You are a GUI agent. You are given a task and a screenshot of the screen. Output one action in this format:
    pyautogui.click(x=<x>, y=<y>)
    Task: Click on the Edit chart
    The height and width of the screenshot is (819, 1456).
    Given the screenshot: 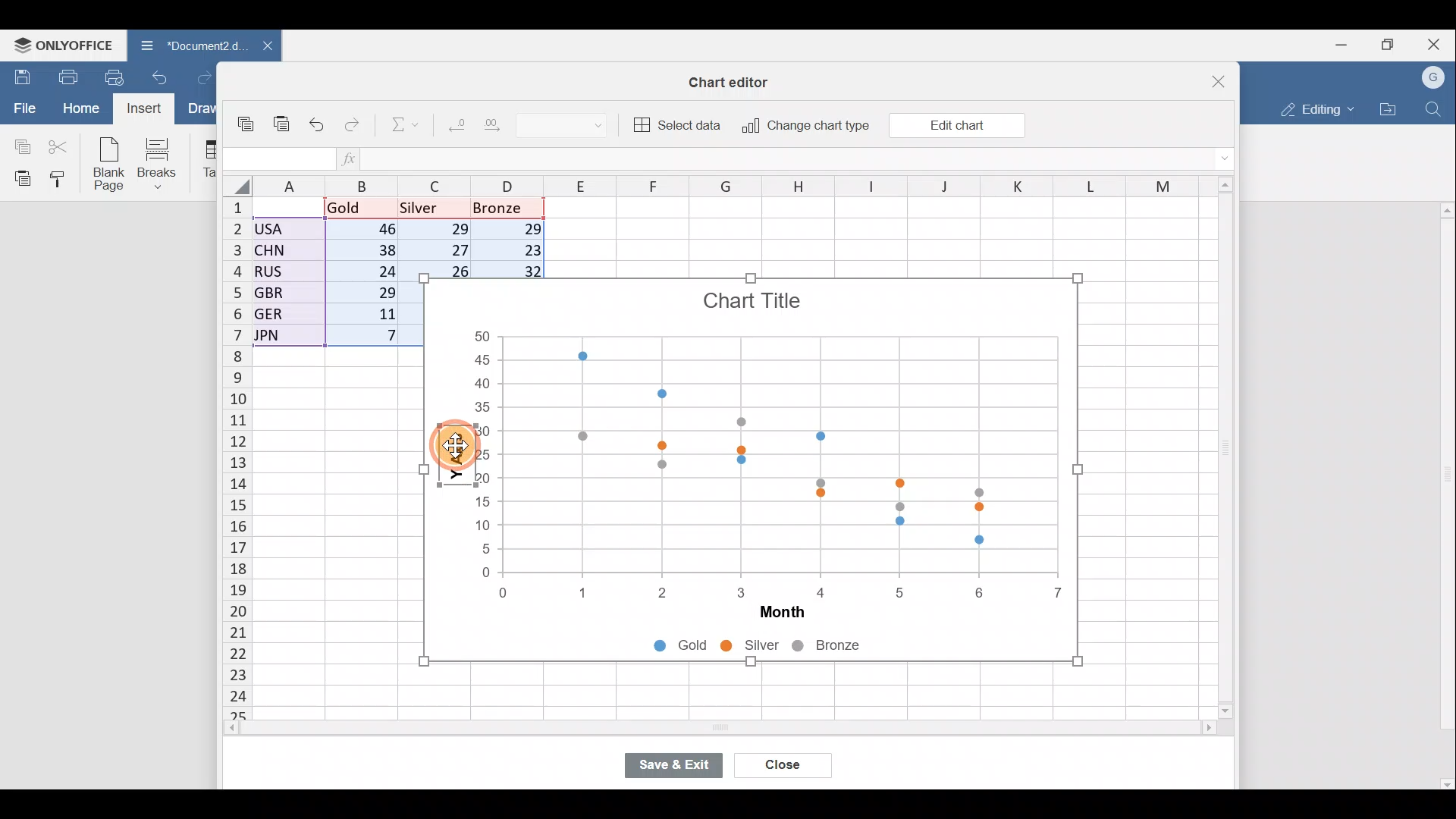 What is the action you would take?
    pyautogui.click(x=955, y=124)
    